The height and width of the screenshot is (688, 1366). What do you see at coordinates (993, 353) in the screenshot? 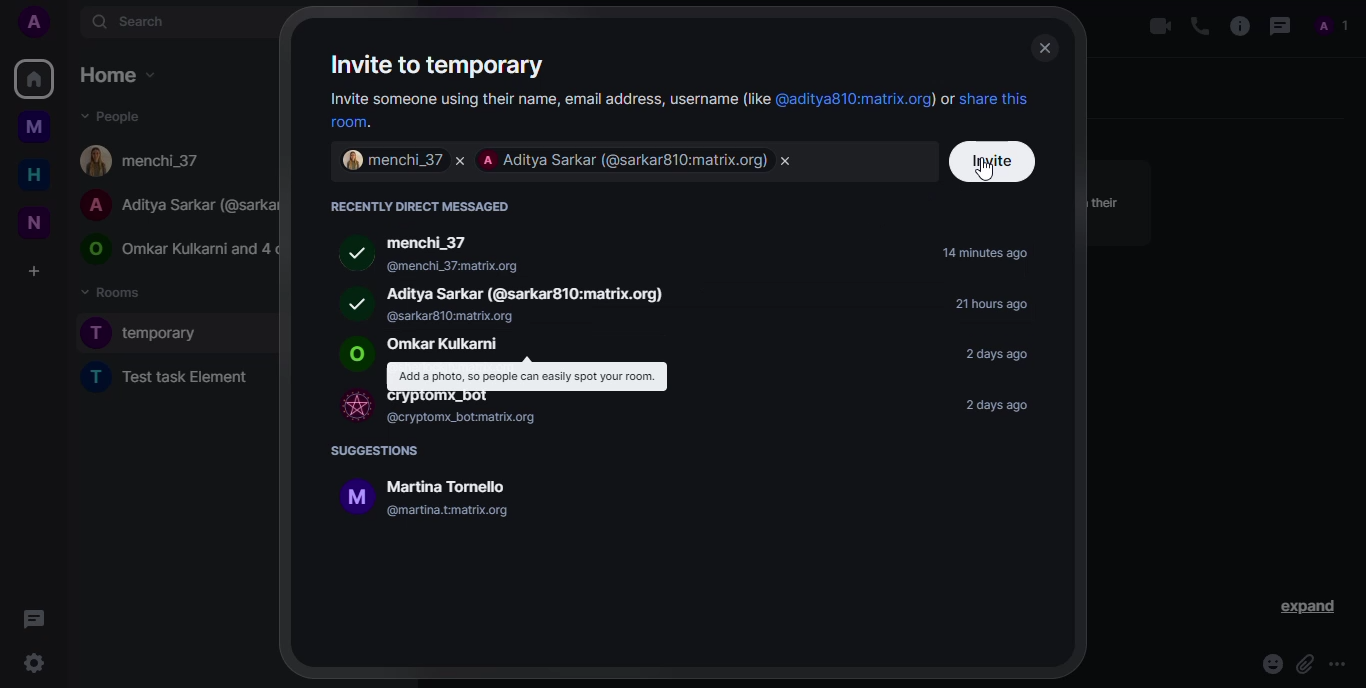
I see `2days ago` at bounding box center [993, 353].